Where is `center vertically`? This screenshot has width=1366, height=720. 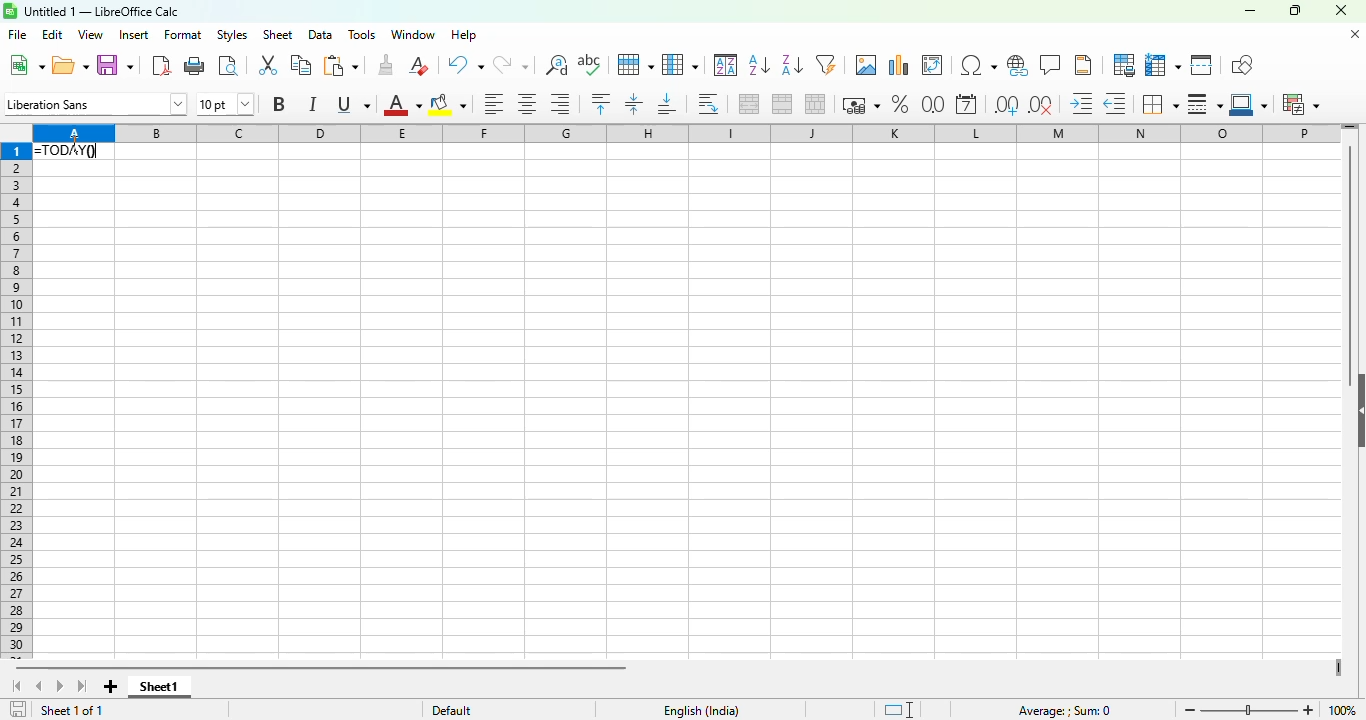 center vertically is located at coordinates (633, 104).